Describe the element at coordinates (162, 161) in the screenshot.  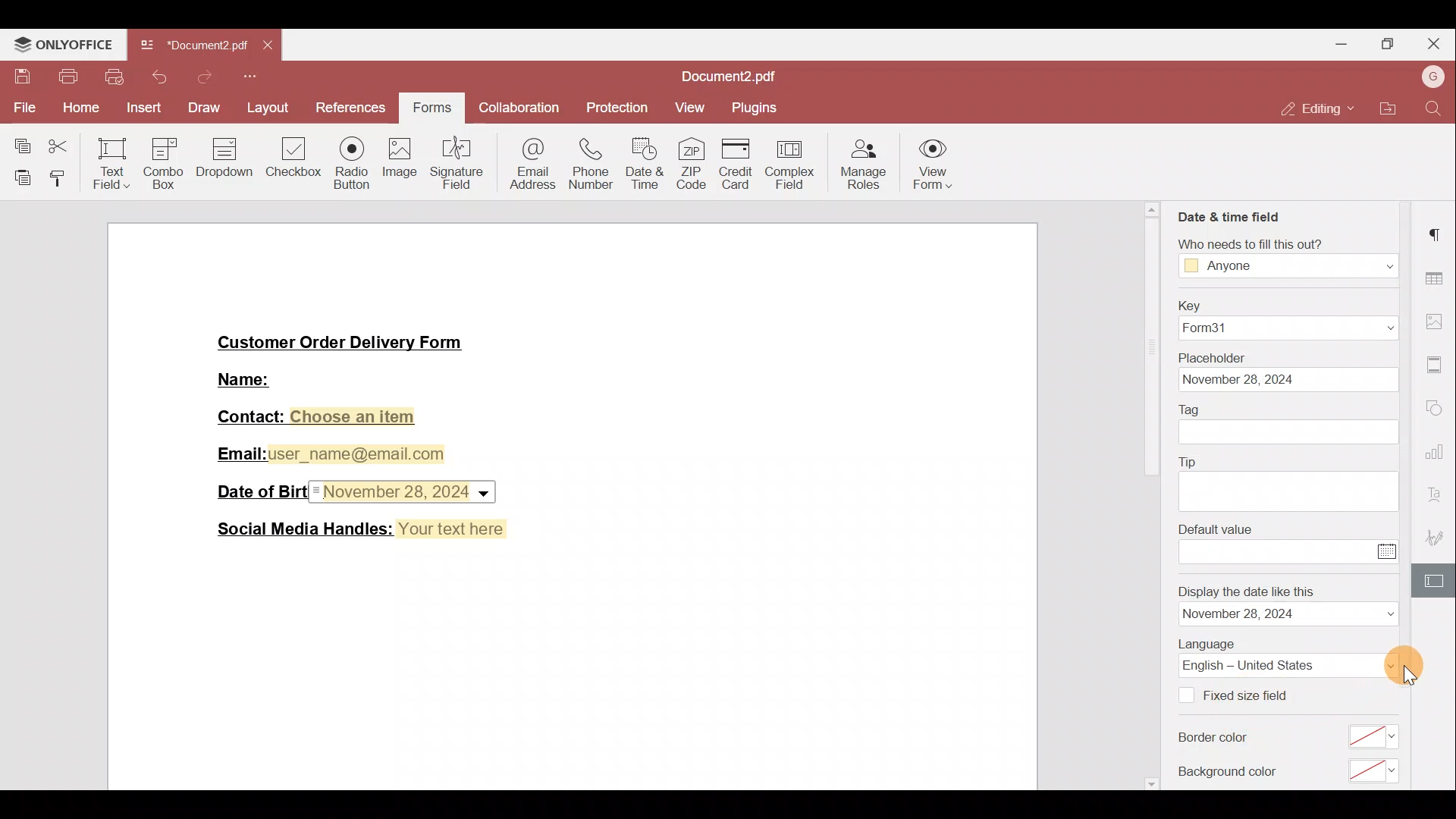
I see `Combo box` at that location.